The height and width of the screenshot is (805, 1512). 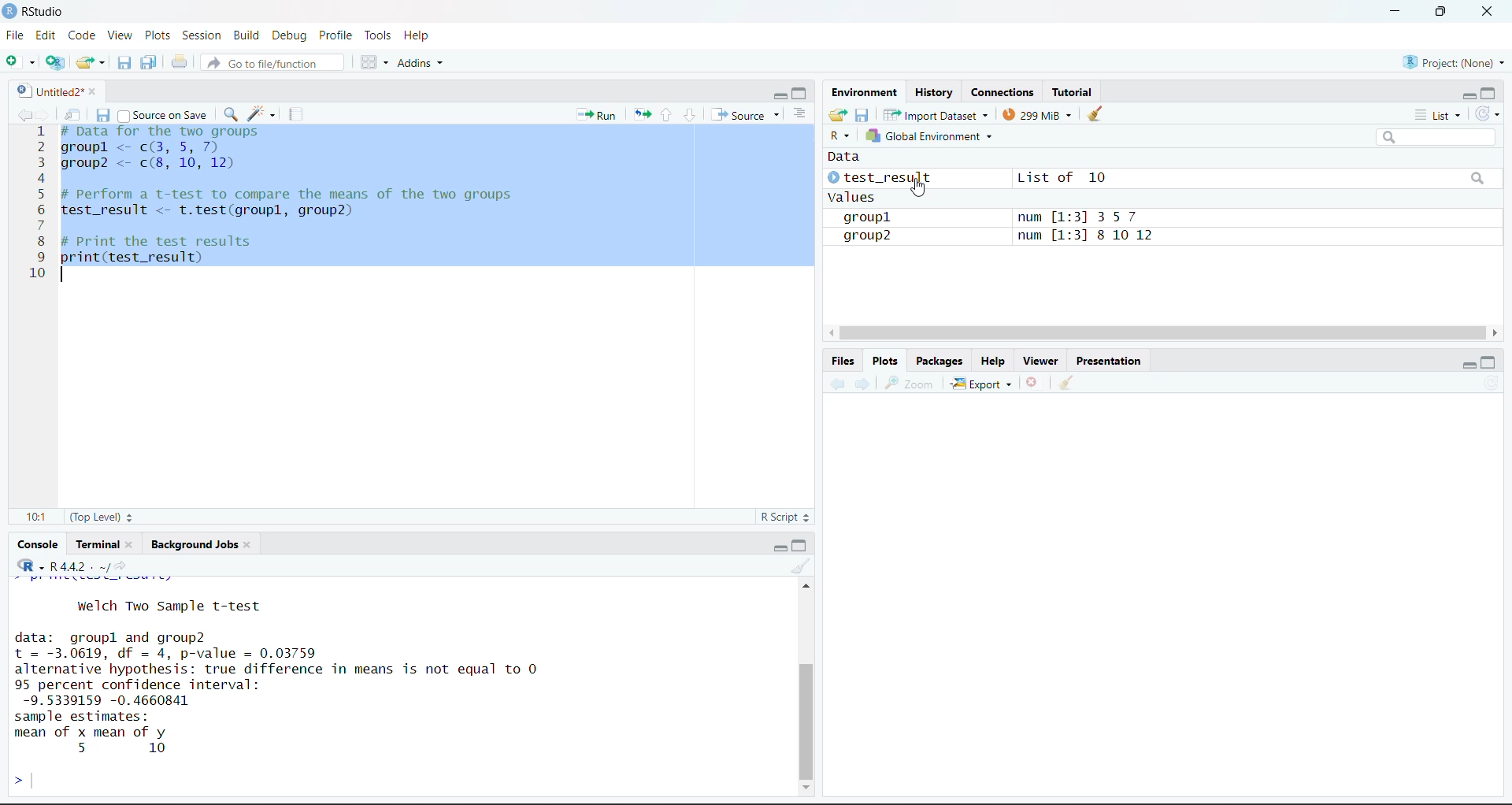 What do you see at coordinates (89, 61) in the screenshot?
I see `open an existing file` at bounding box center [89, 61].